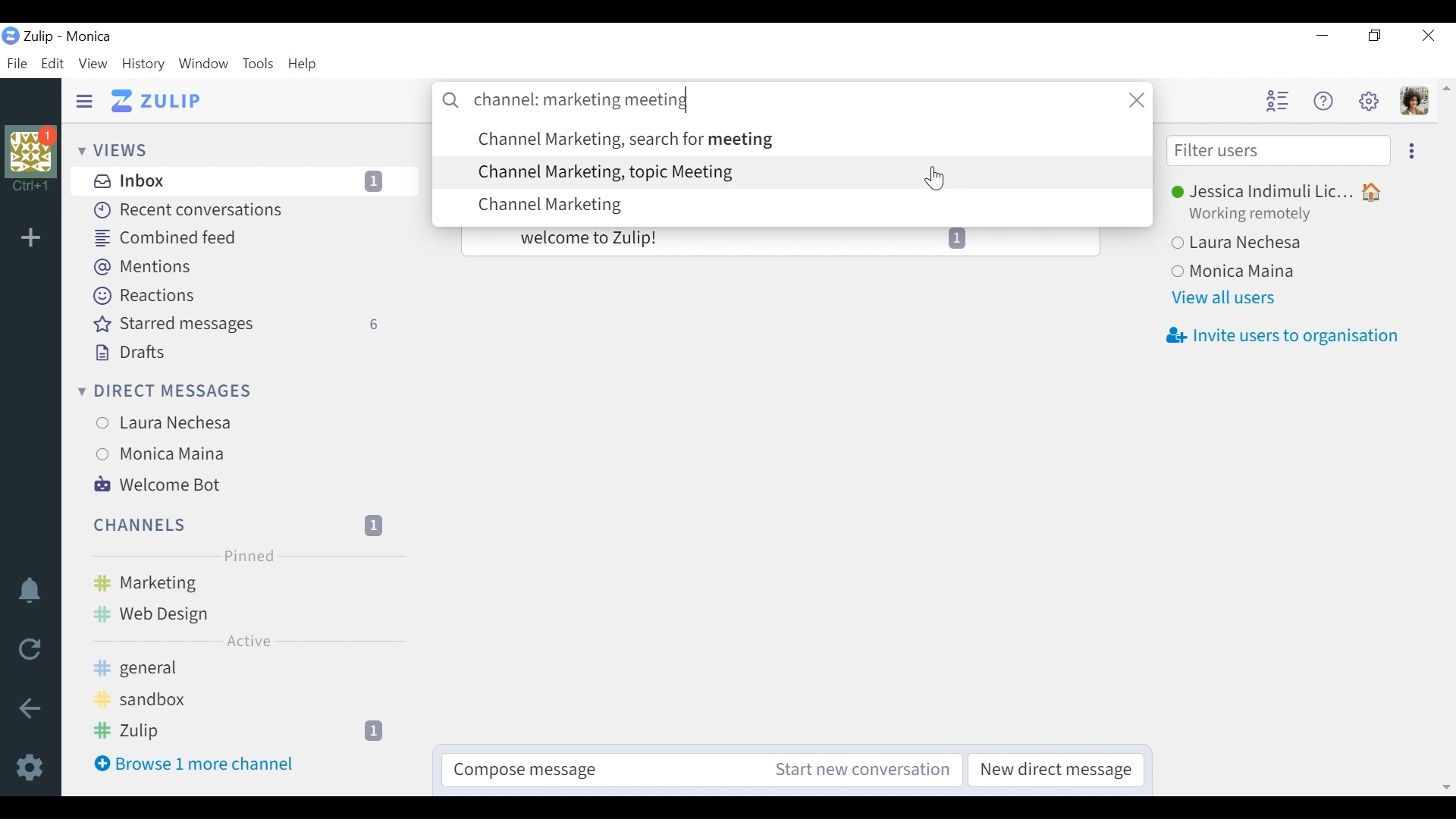  What do you see at coordinates (30, 768) in the screenshot?
I see `Settings` at bounding box center [30, 768].